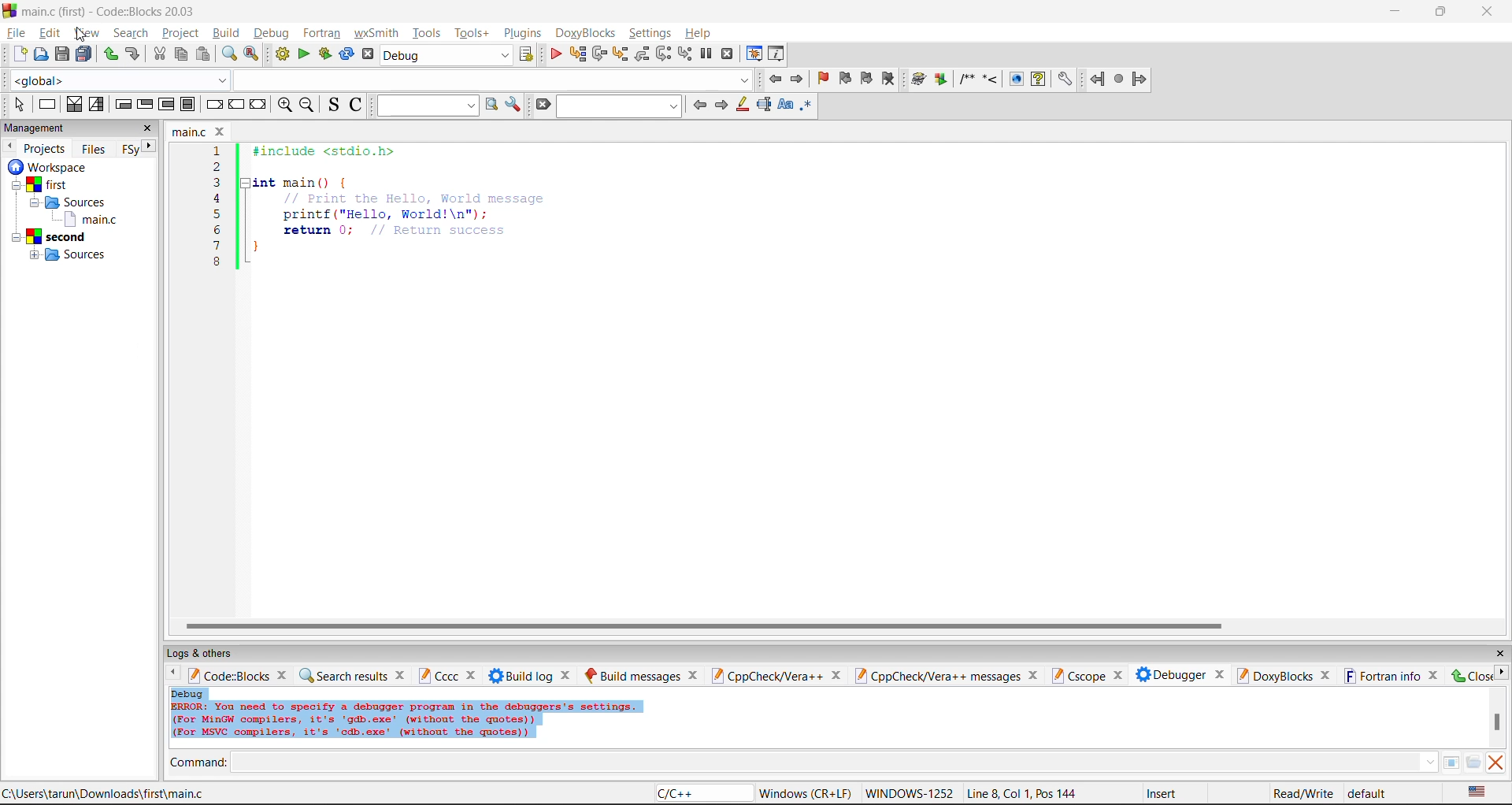 The height and width of the screenshot is (805, 1512). I want to click on debug/continue, so click(554, 56).